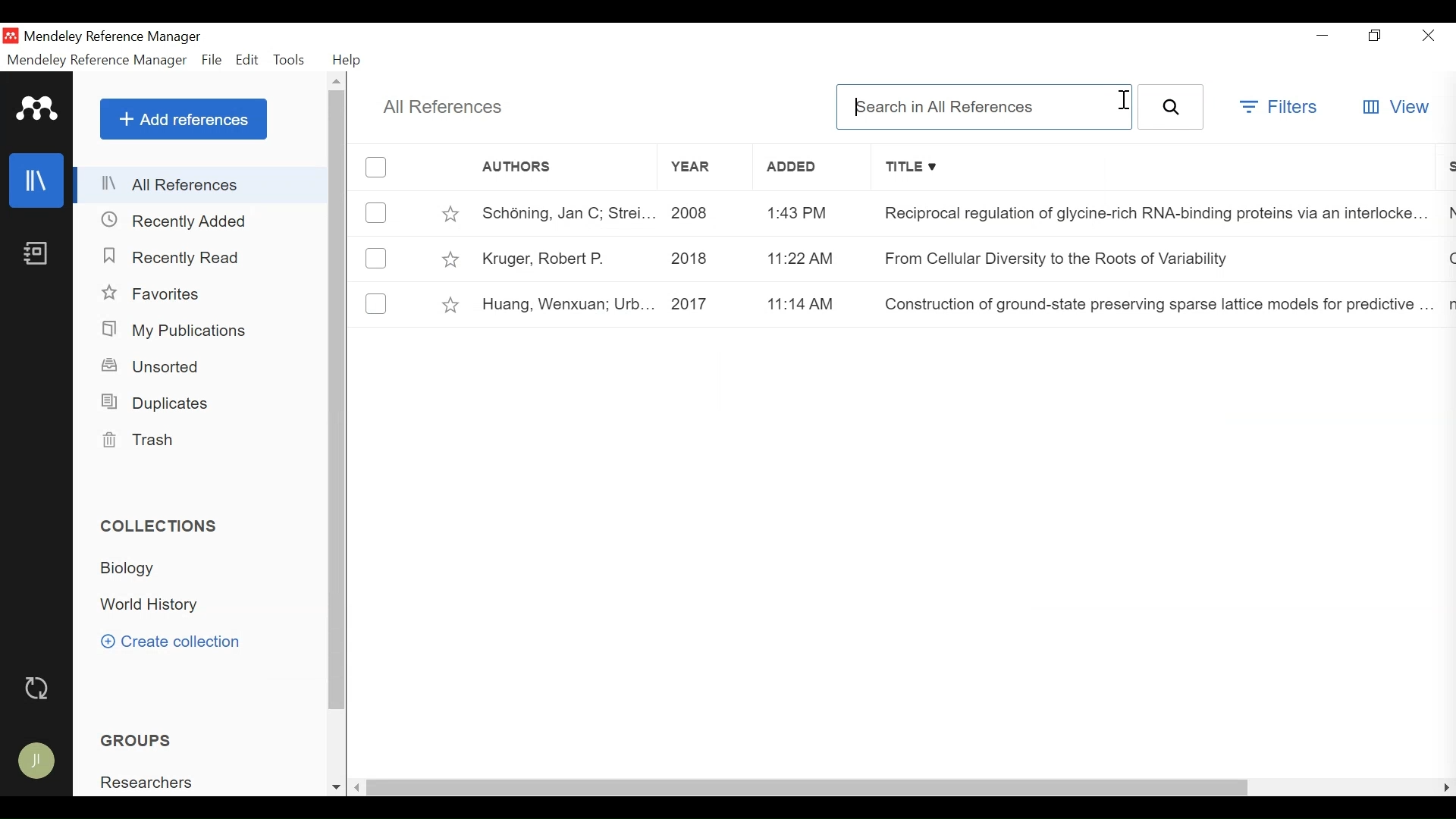 This screenshot has height=819, width=1456. Describe the element at coordinates (376, 259) in the screenshot. I see `(un)select` at that location.